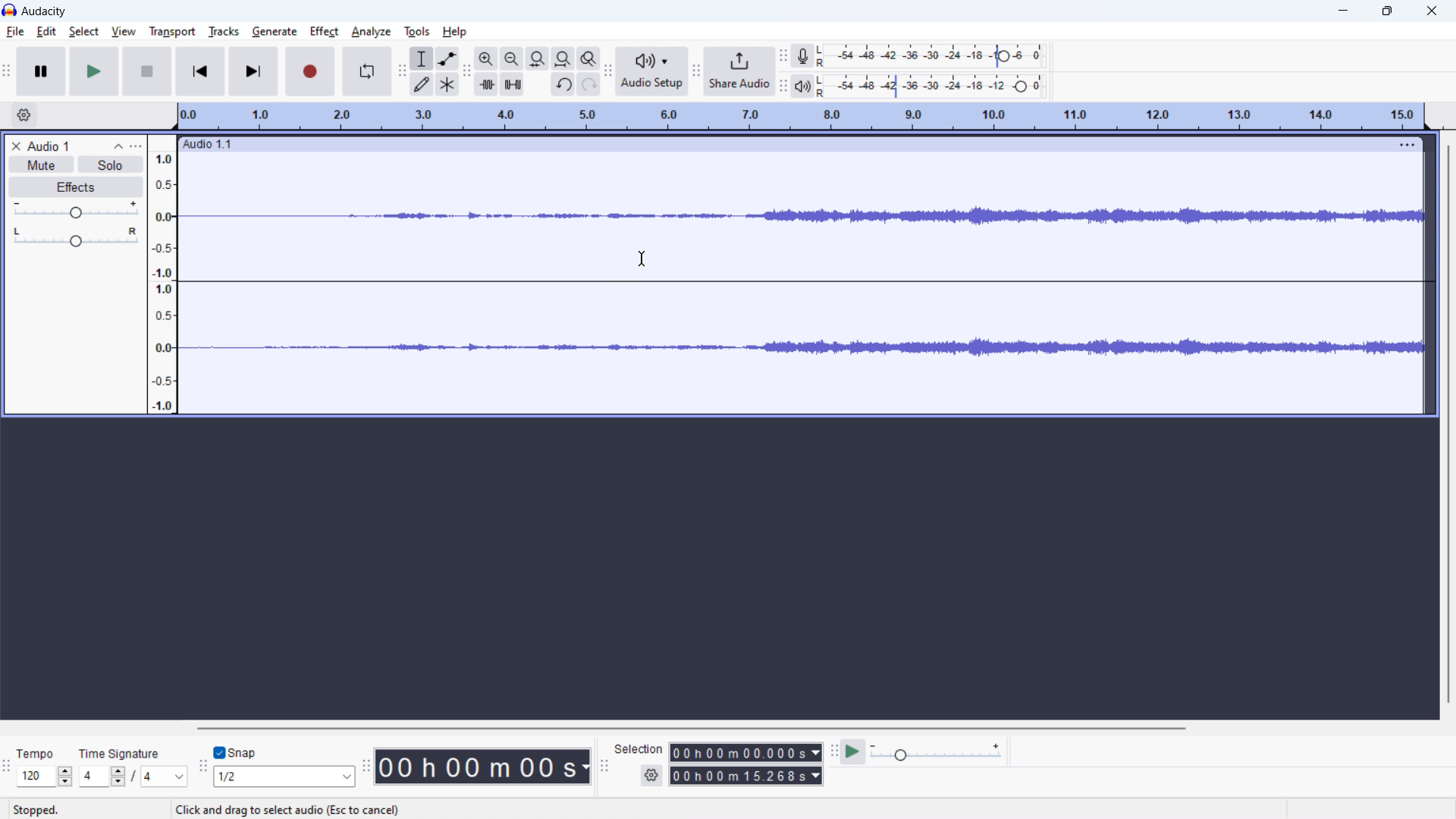 The height and width of the screenshot is (819, 1456). I want to click on enable looping, so click(367, 71).